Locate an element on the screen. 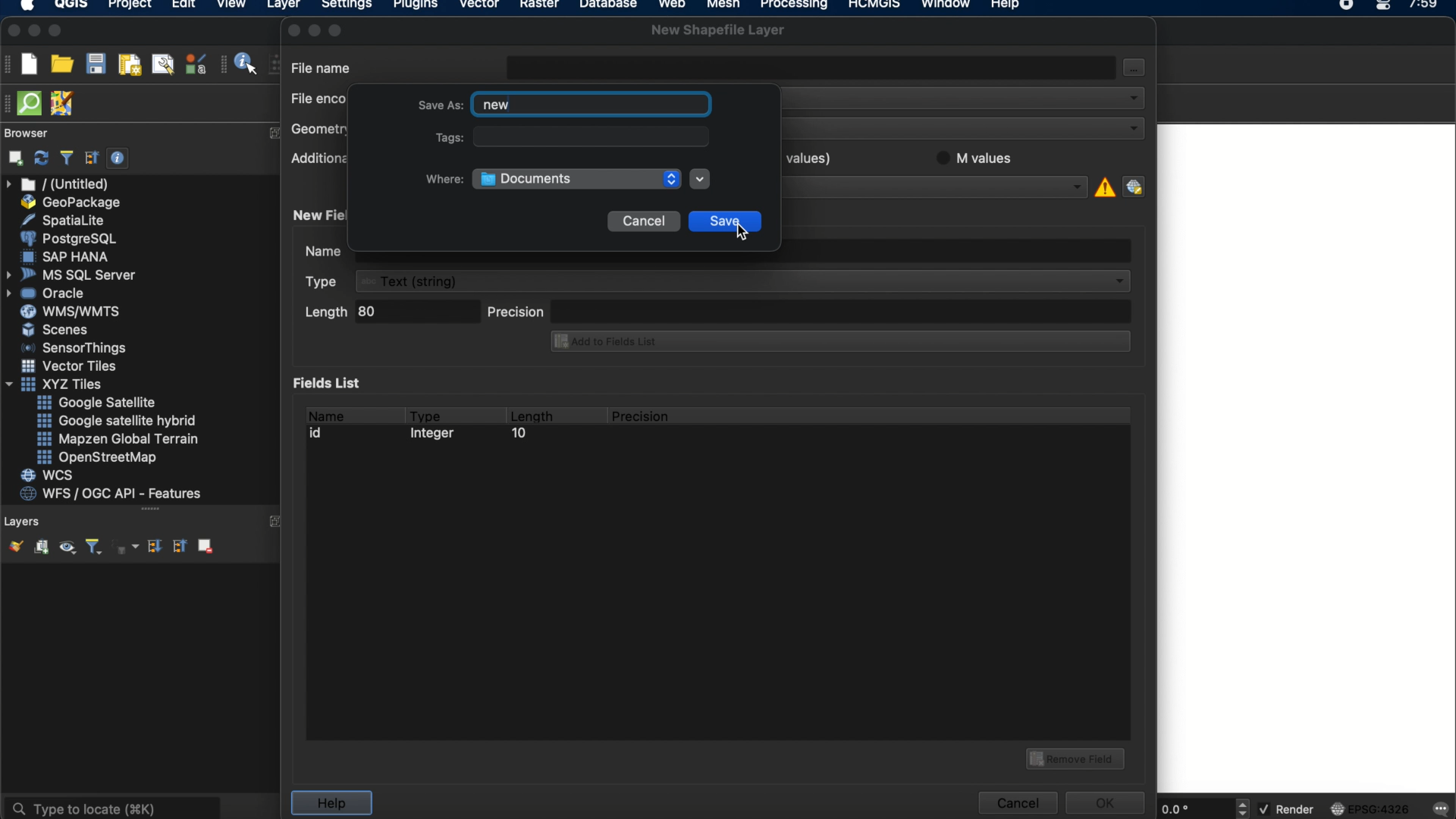  dropdown is located at coordinates (1132, 96).